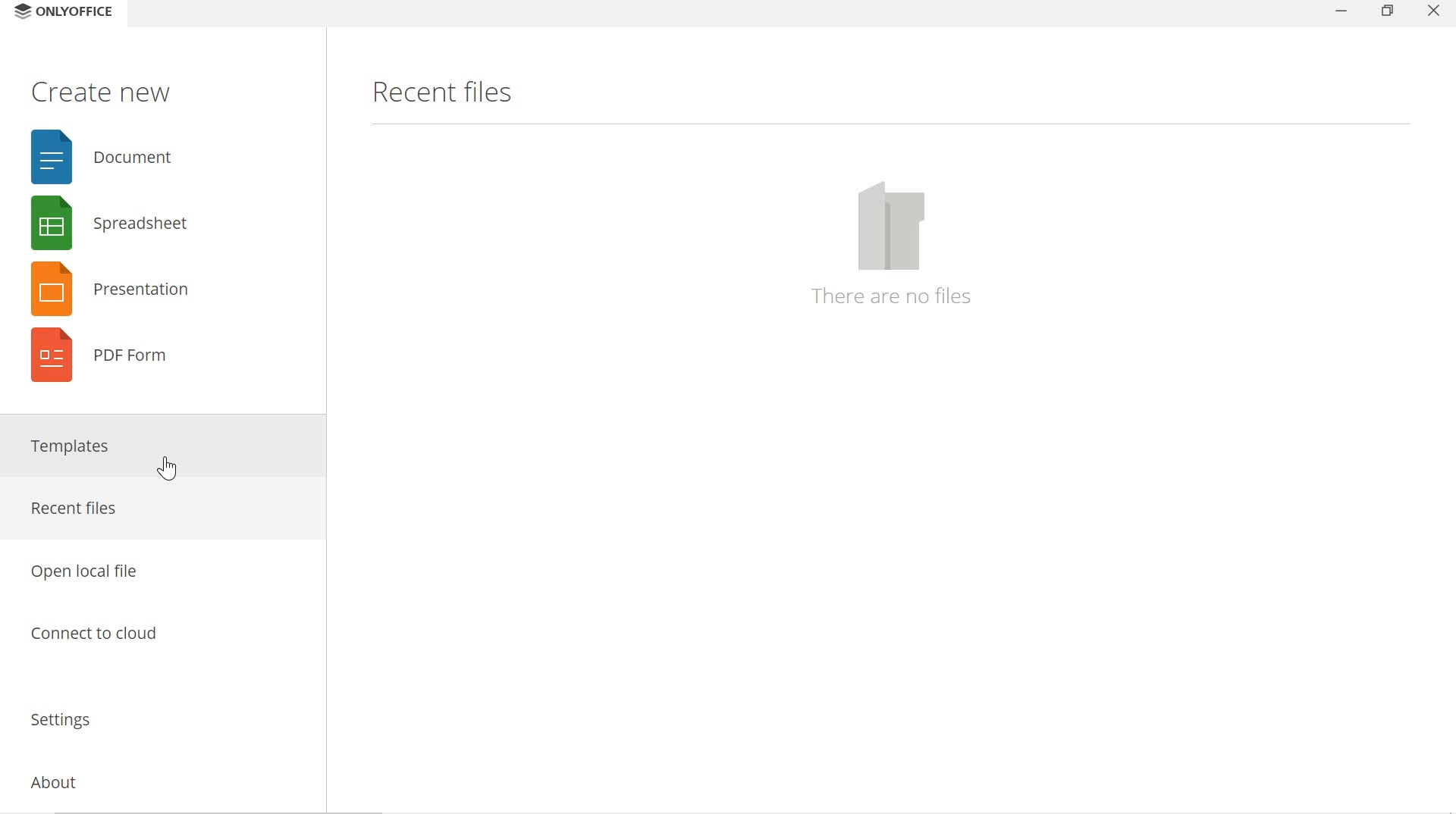 Image resolution: width=1456 pixels, height=814 pixels. Describe the element at coordinates (168, 471) in the screenshot. I see `cursor` at that location.